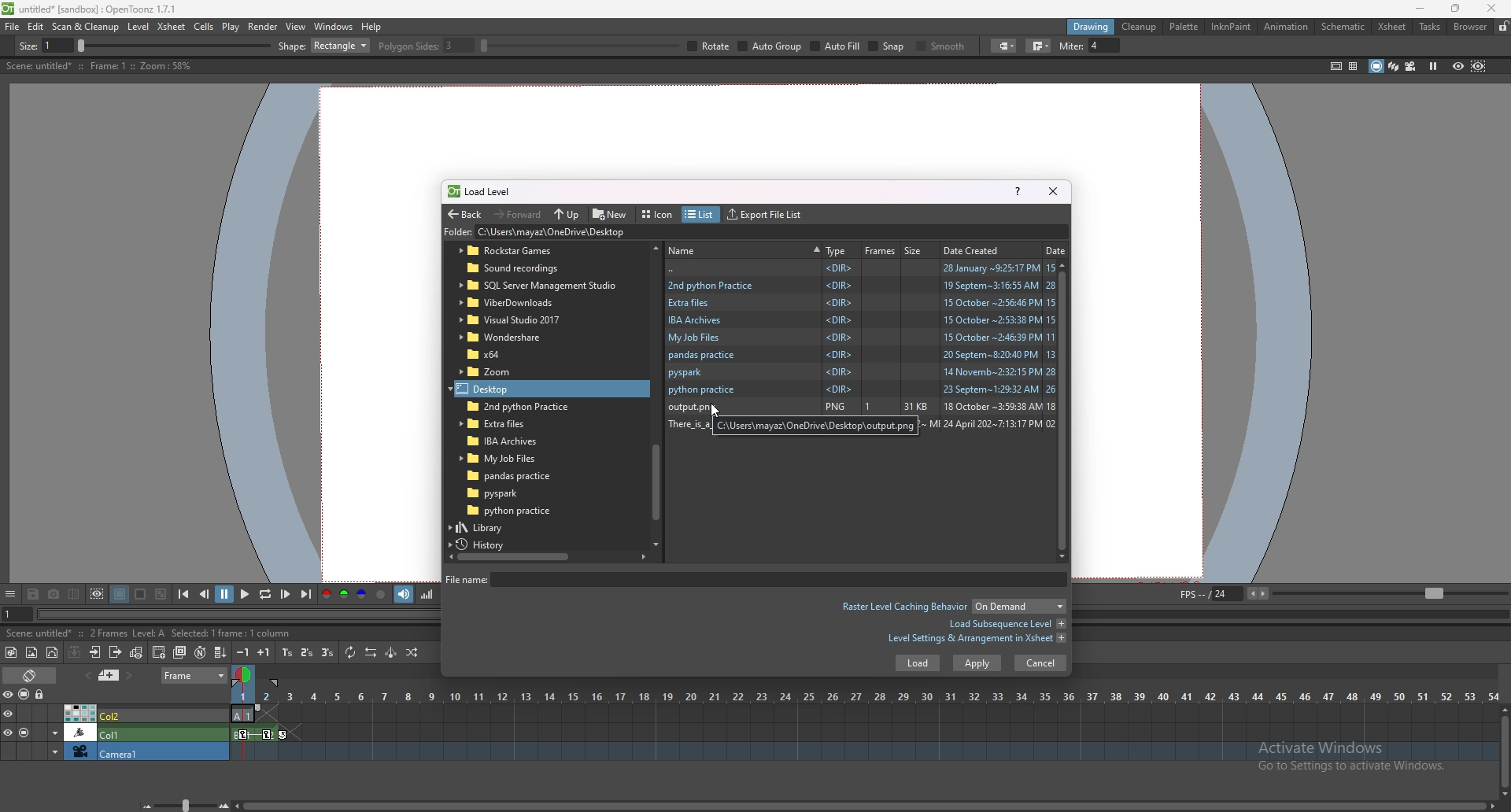  Describe the element at coordinates (412, 652) in the screenshot. I see `random` at that location.